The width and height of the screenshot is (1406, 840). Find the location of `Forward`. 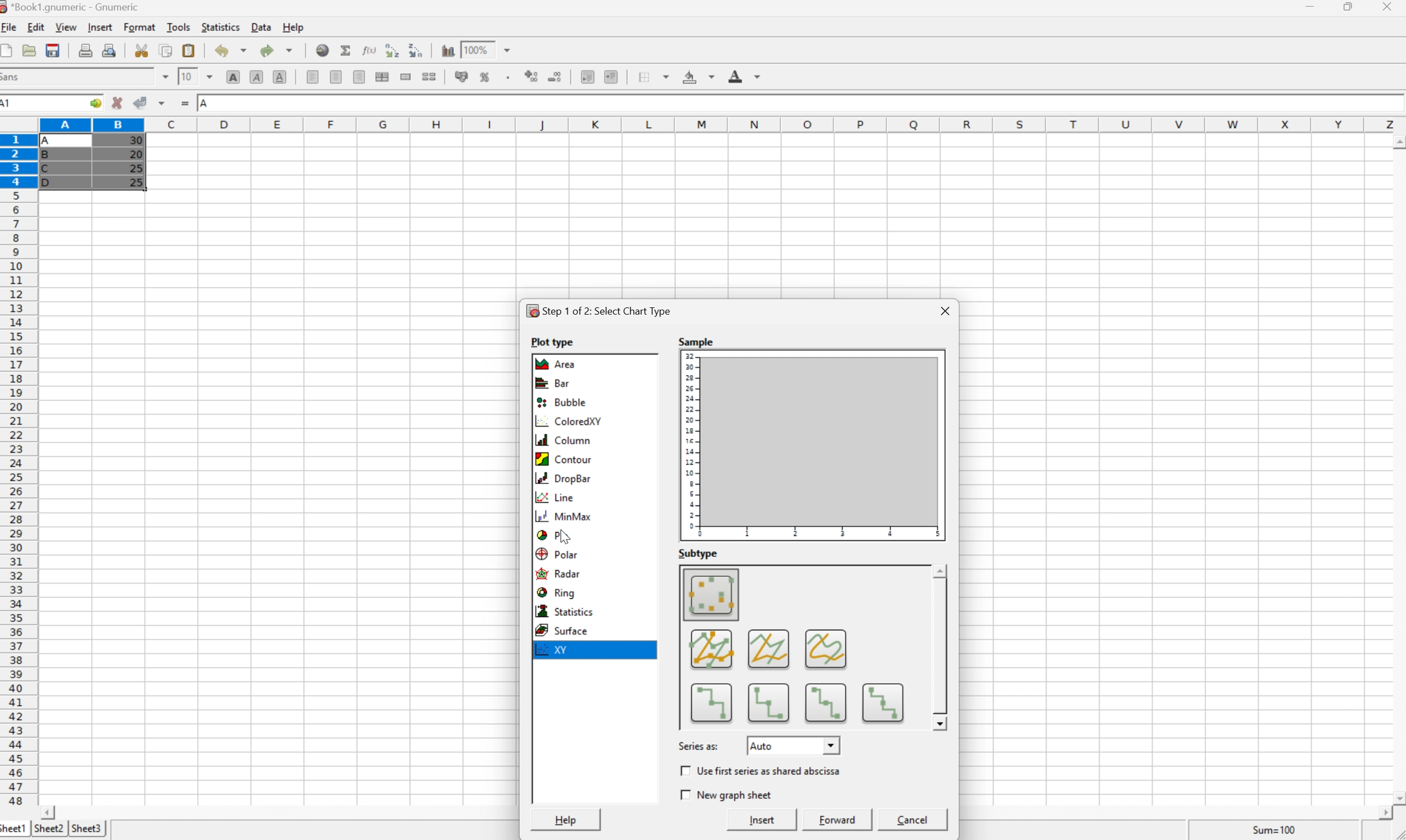

Forward is located at coordinates (837, 820).